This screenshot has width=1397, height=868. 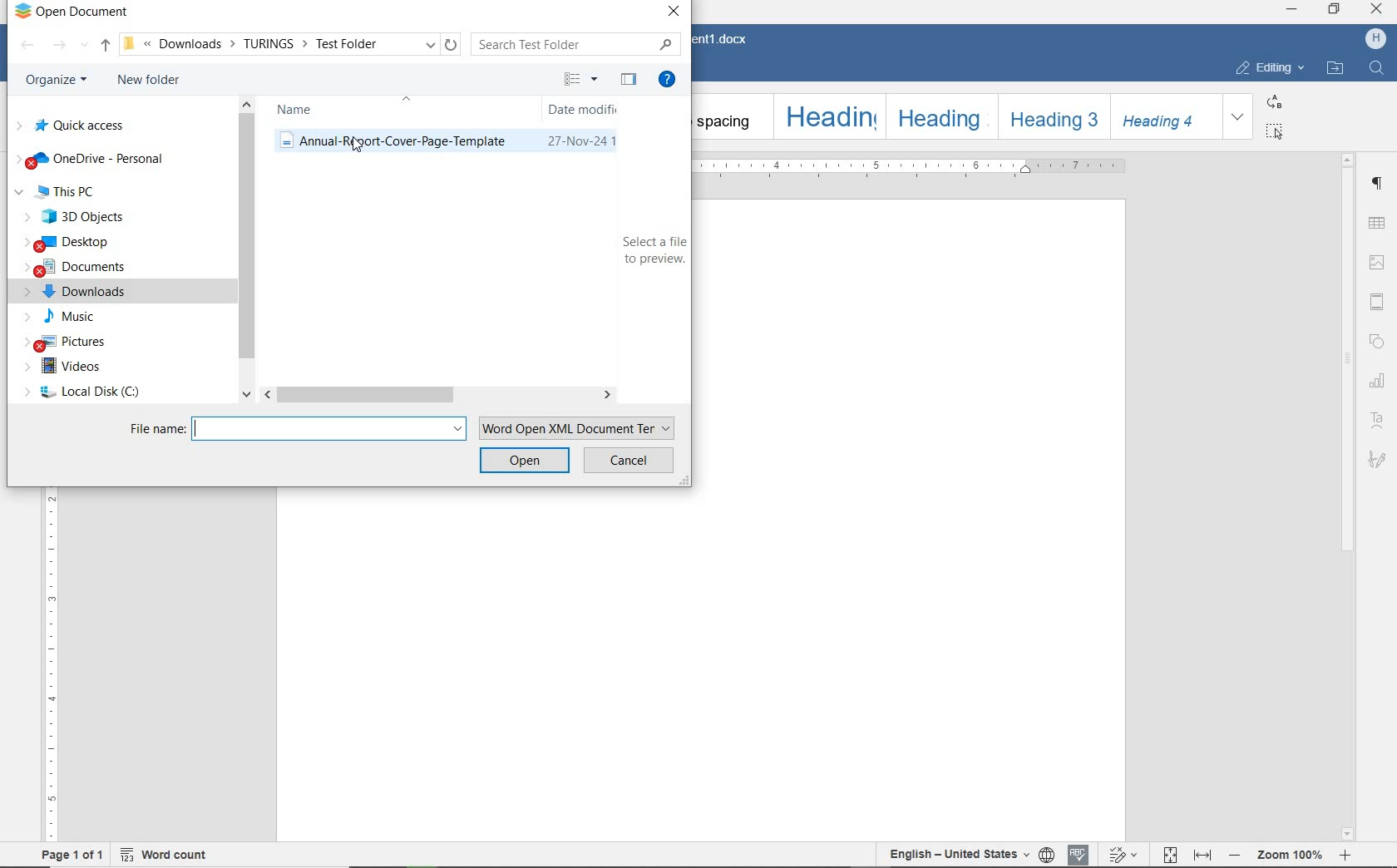 What do you see at coordinates (55, 81) in the screenshot?
I see `organize` at bounding box center [55, 81].